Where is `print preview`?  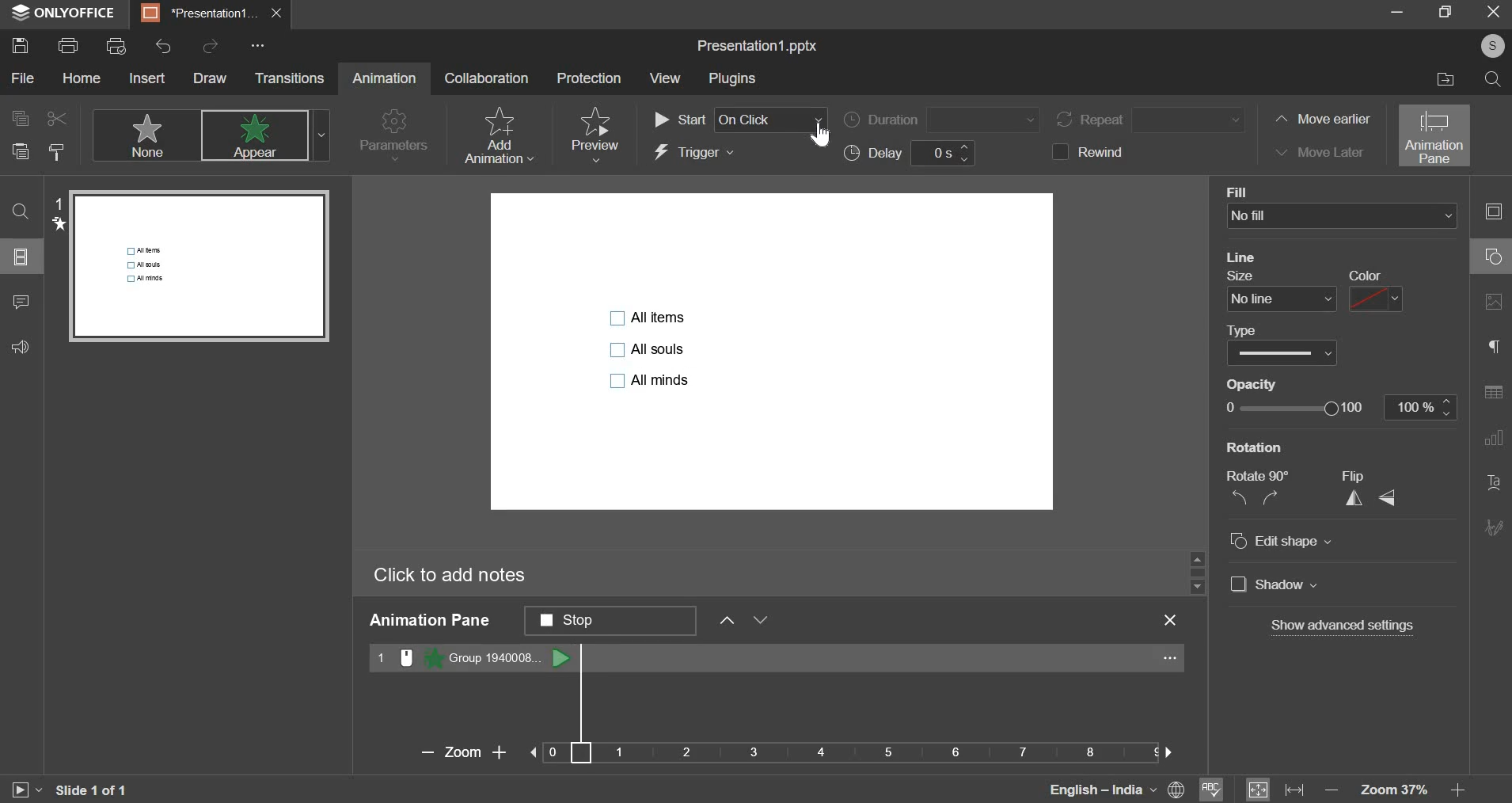
print preview is located at coordinates (115, 46).